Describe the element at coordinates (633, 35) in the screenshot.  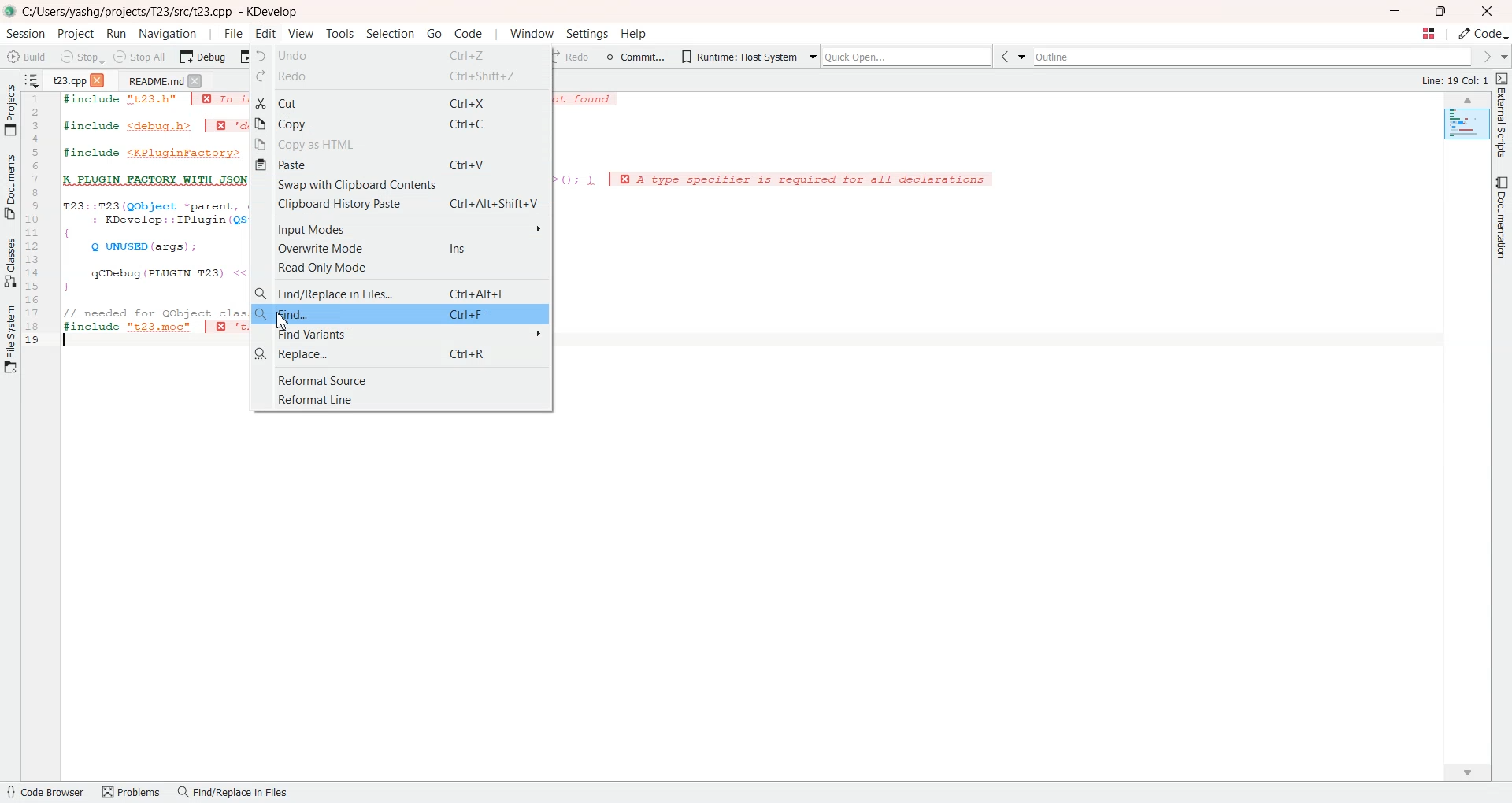
I see `help` at that location.